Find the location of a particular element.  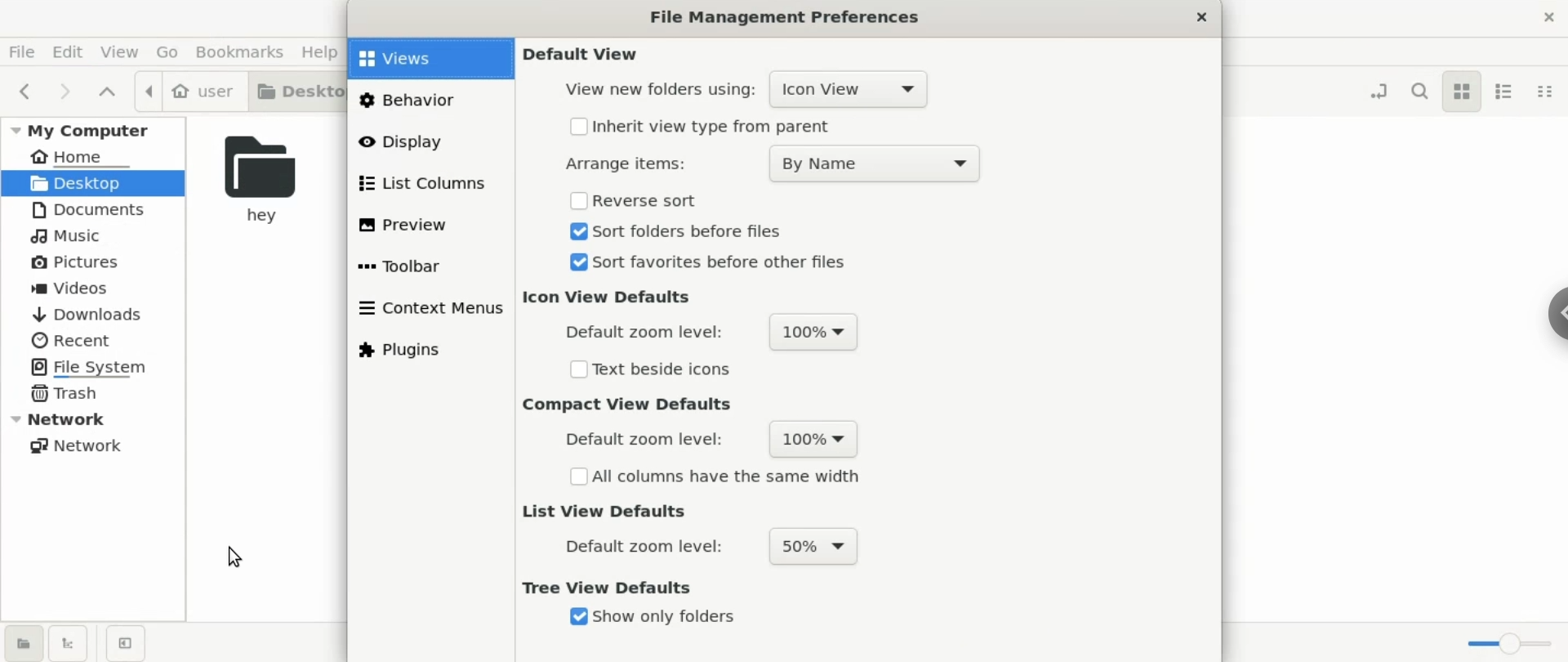

default zoom level is located at coordinates (646, 441).